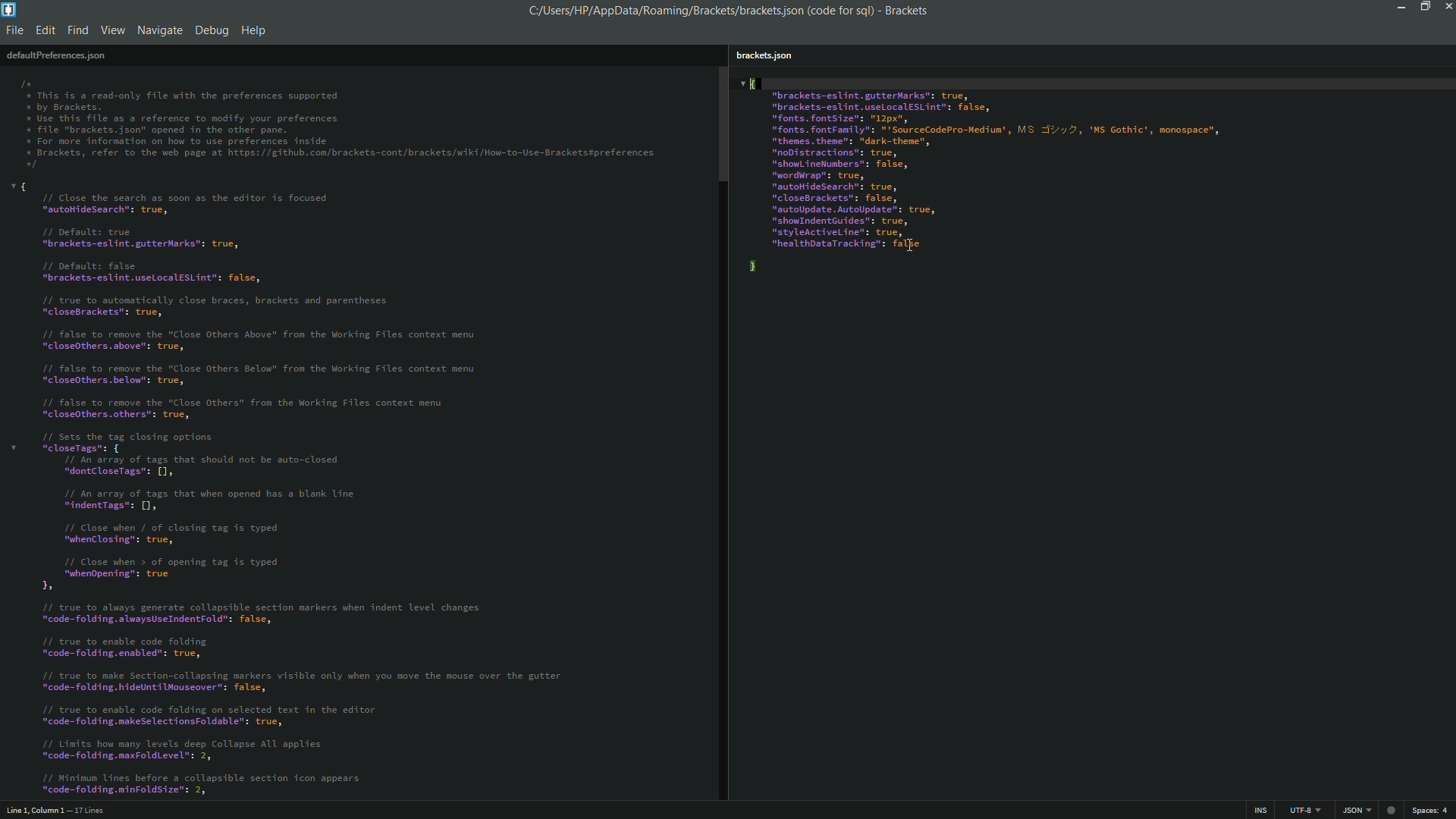 The height and width of the screenshot is (819, 1456). I want to click on Python, so click(1354, 811).